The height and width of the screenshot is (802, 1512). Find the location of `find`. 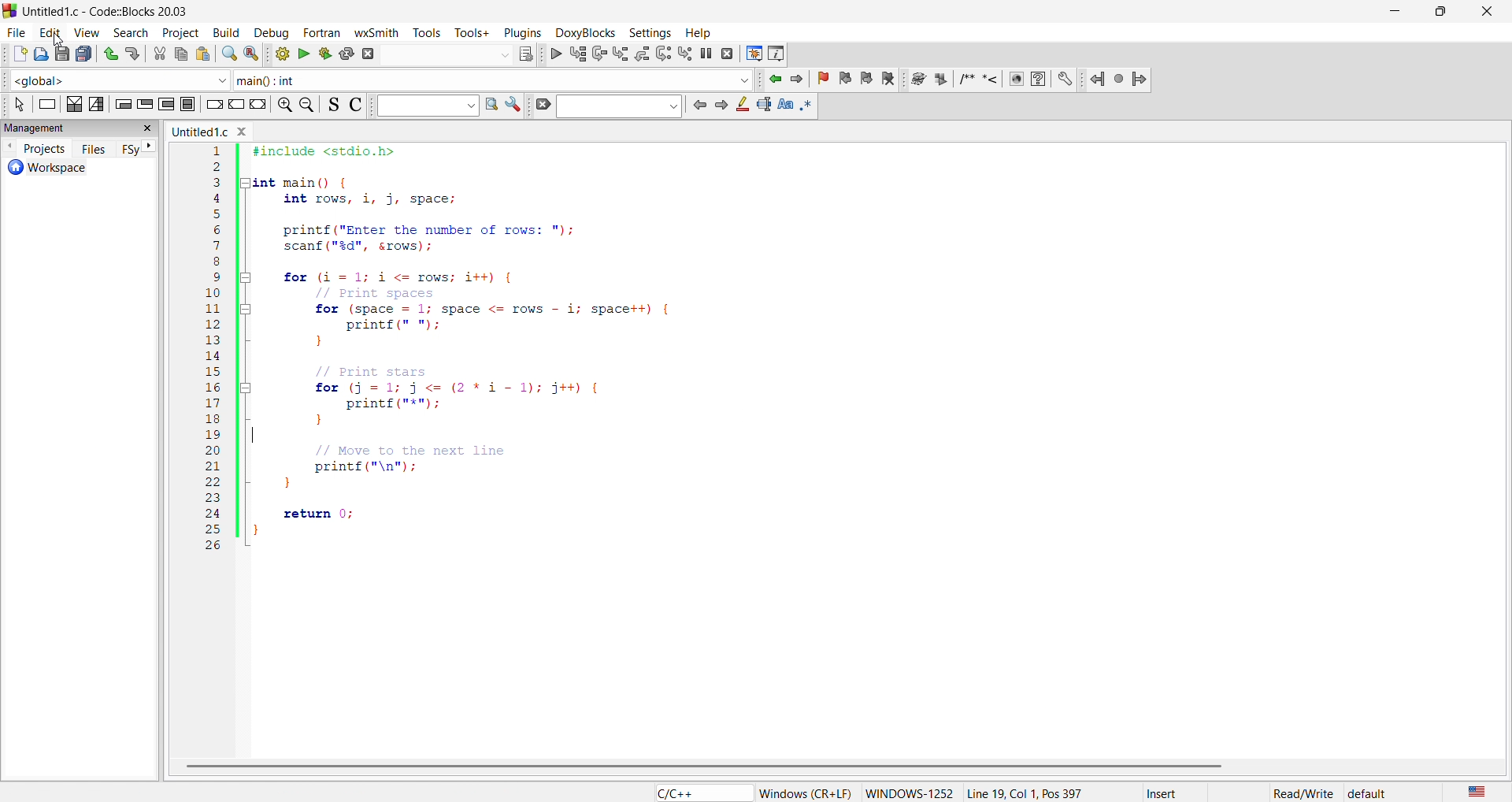

find is located at coordinates (228, 54).